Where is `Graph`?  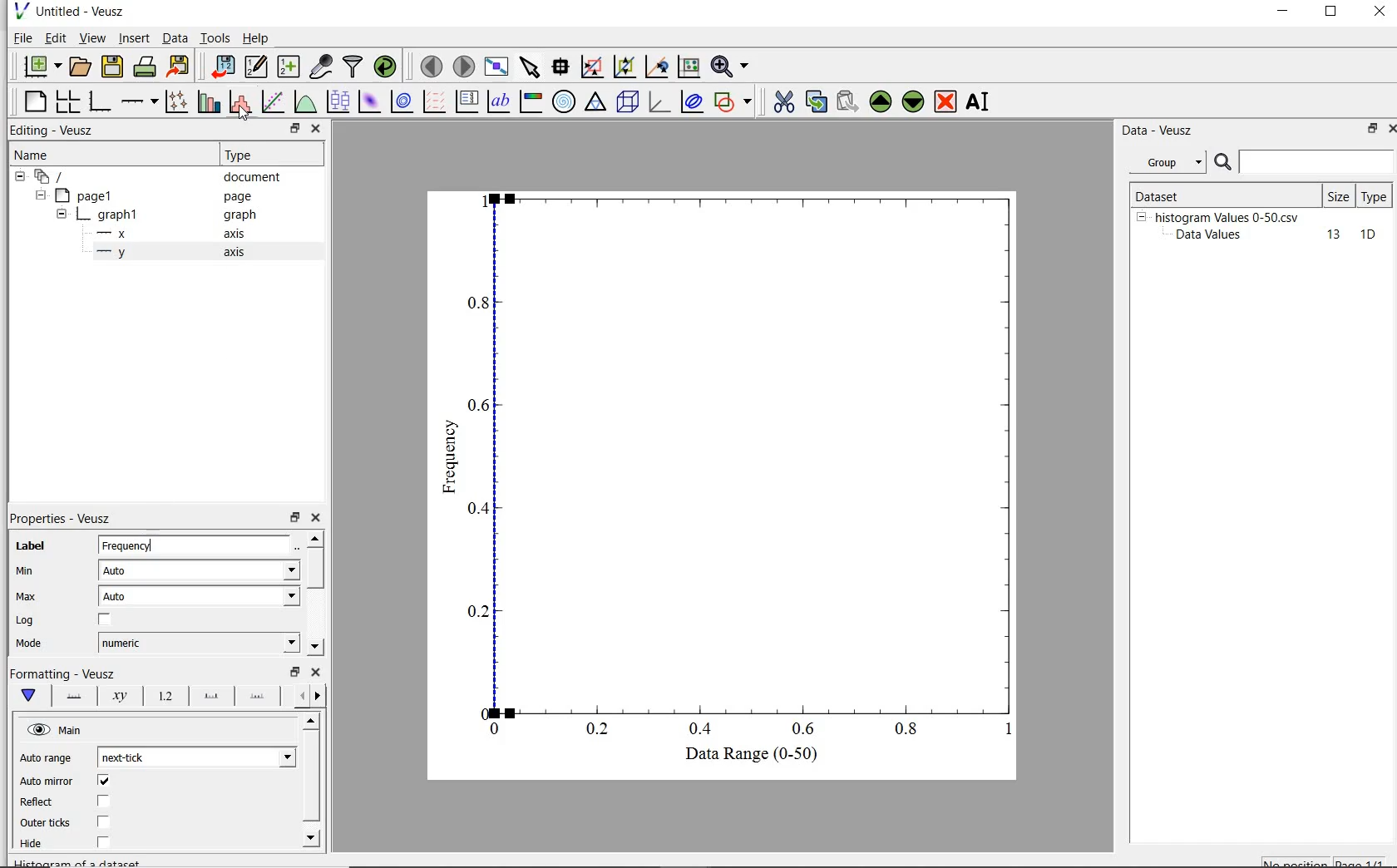 Graph is located at coordinates (742, 462).